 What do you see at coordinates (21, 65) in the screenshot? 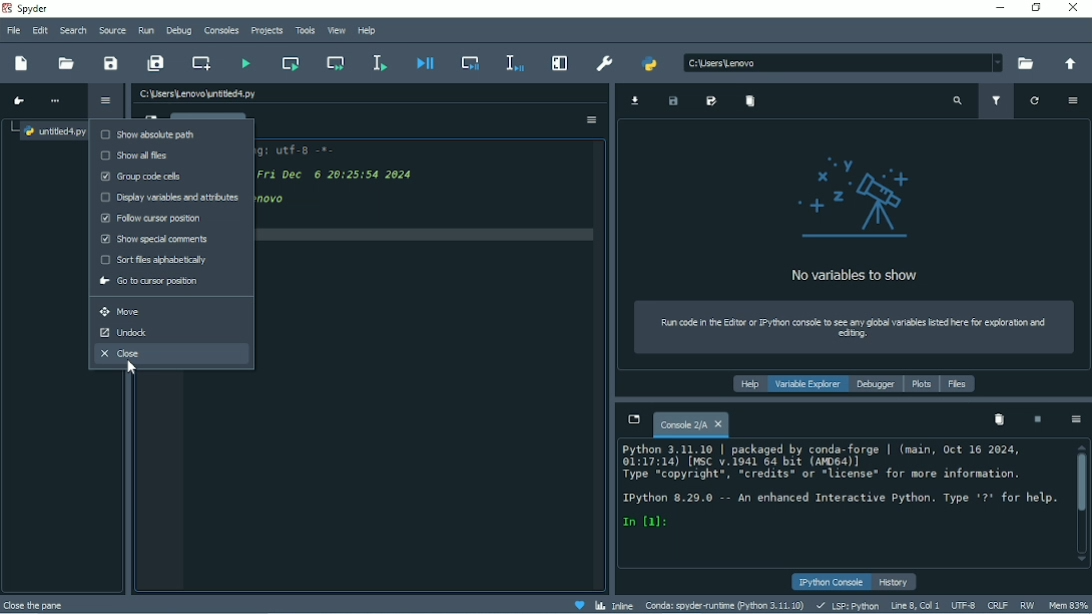
I see `New file` at bounding box center [21, 65].